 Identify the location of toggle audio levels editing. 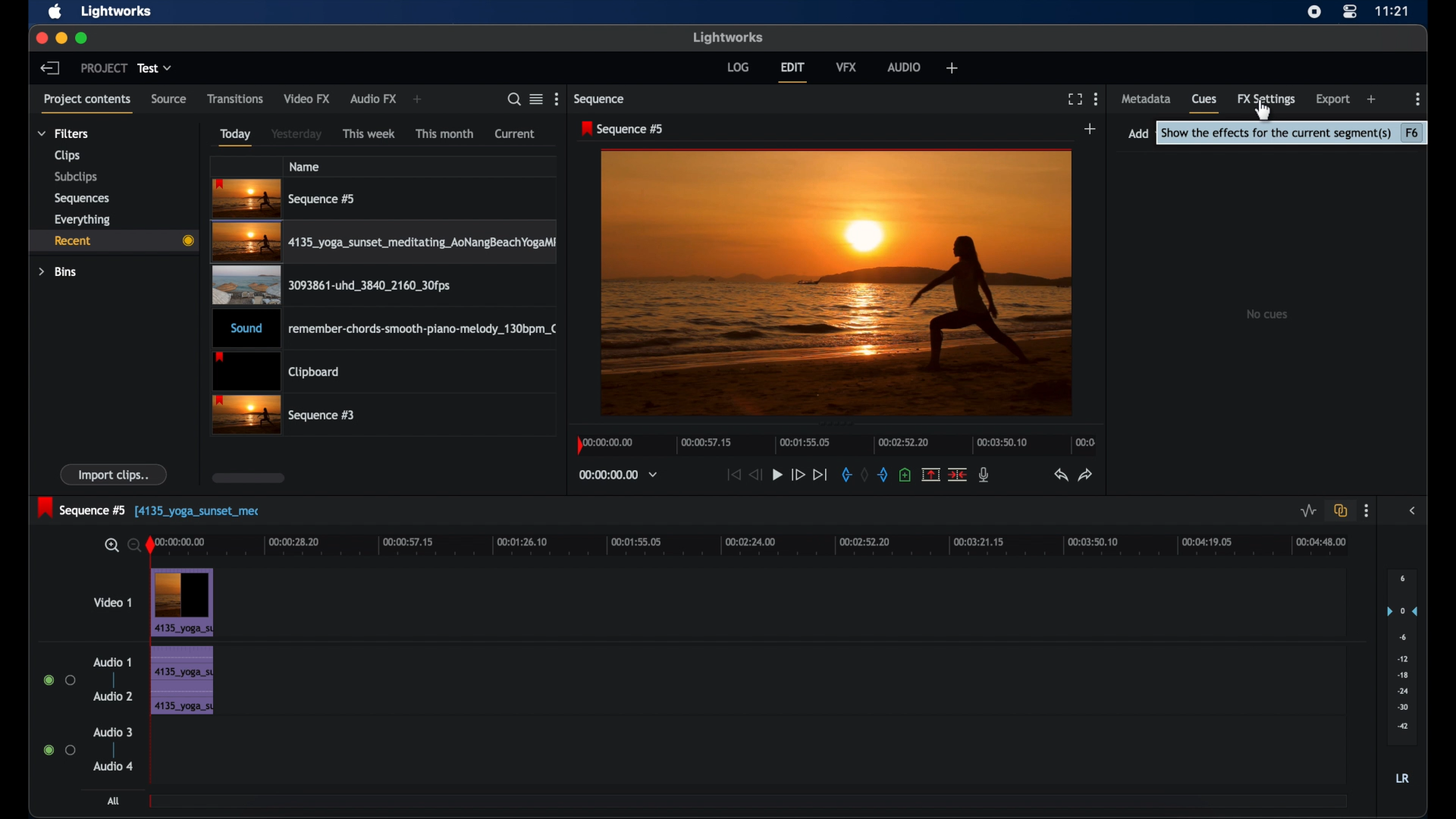
(1309, 511).